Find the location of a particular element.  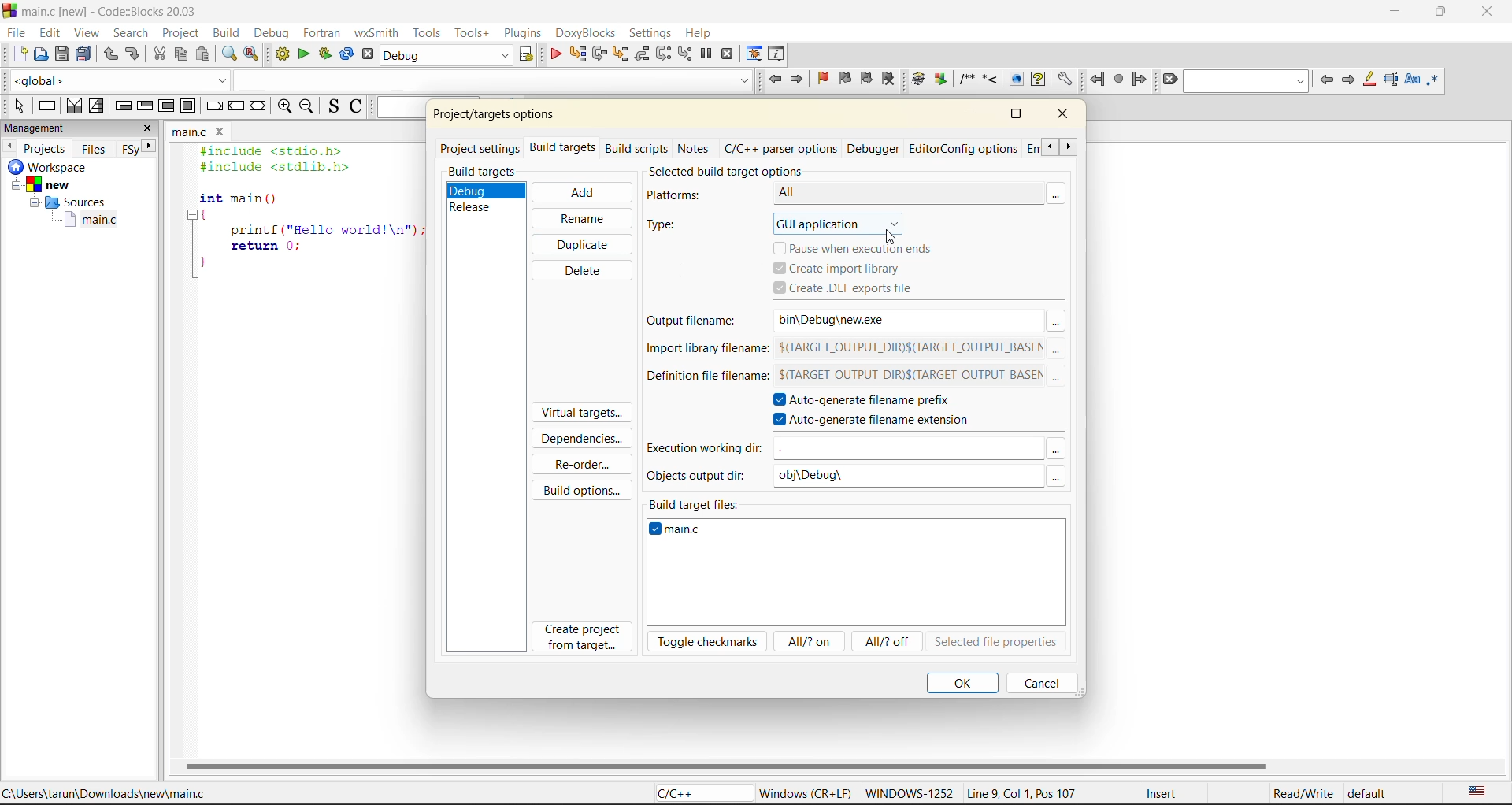

jump back is located at coordinates (1096, 80).